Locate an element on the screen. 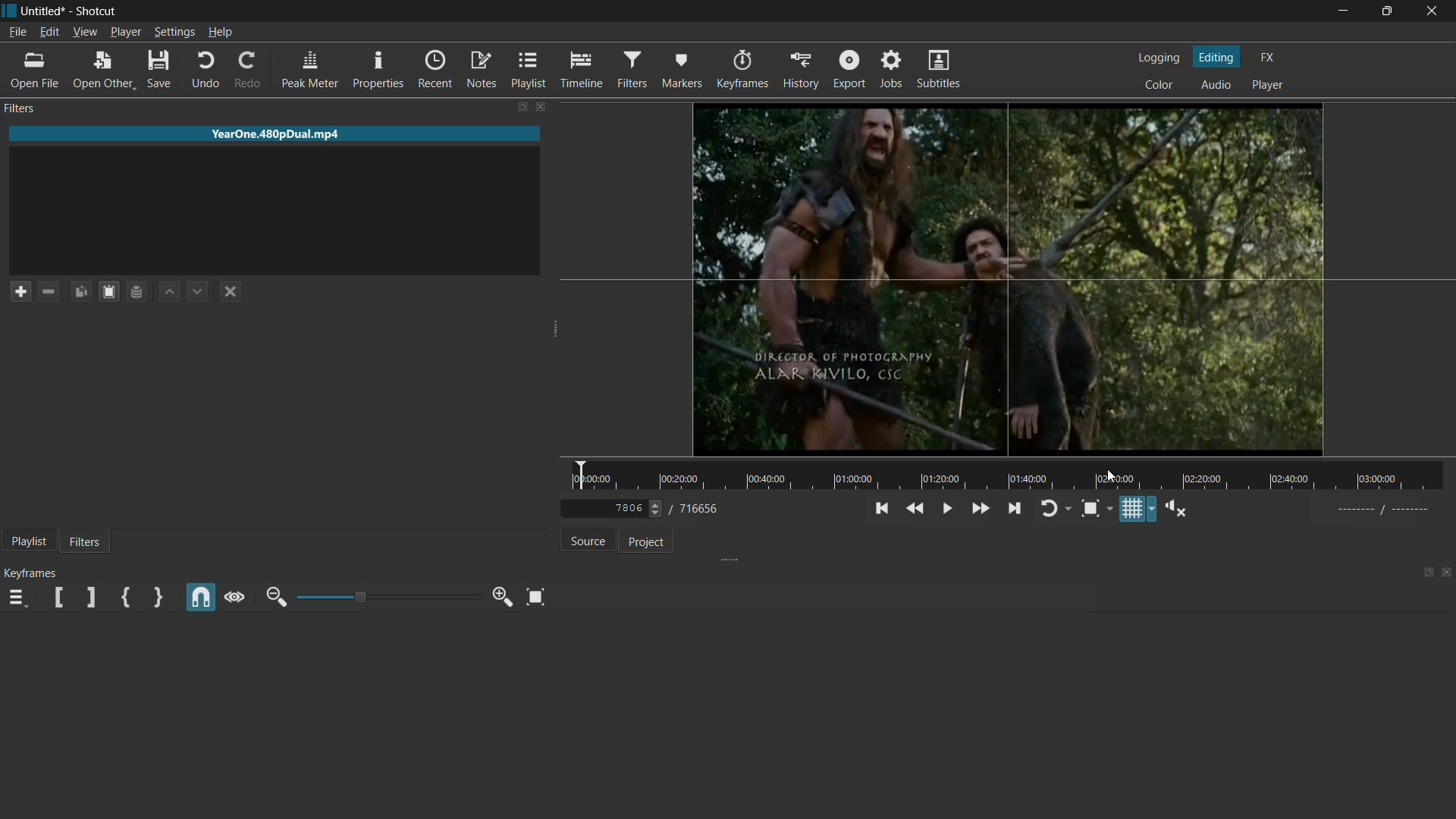 The height and width of the screenshot is (819, 1456). toggle grid is located at coordinates (1129, 509).